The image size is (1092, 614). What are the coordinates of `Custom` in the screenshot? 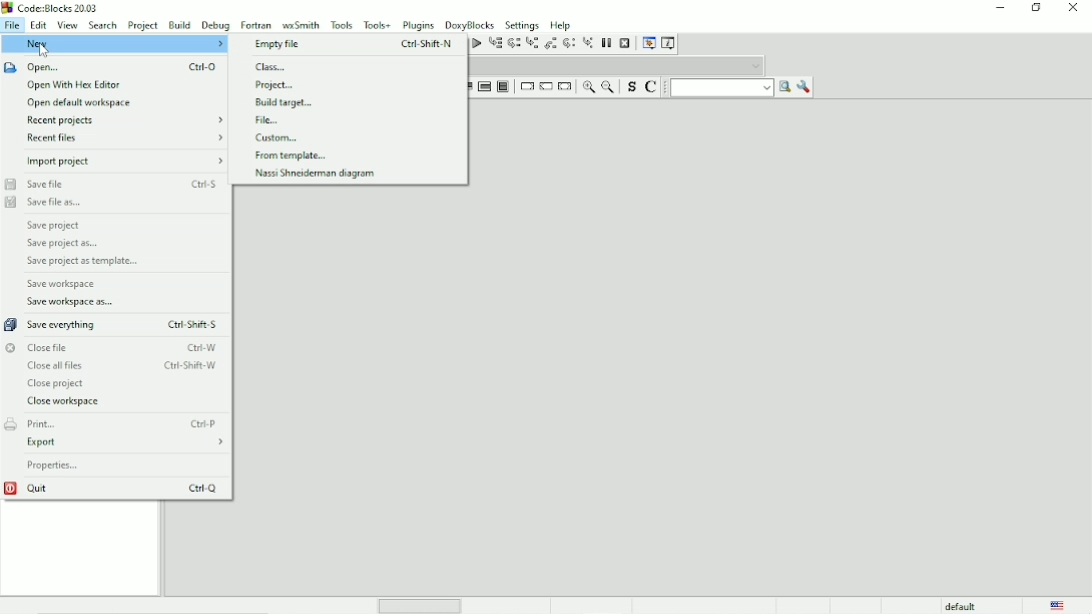 It's located at (281, 137).